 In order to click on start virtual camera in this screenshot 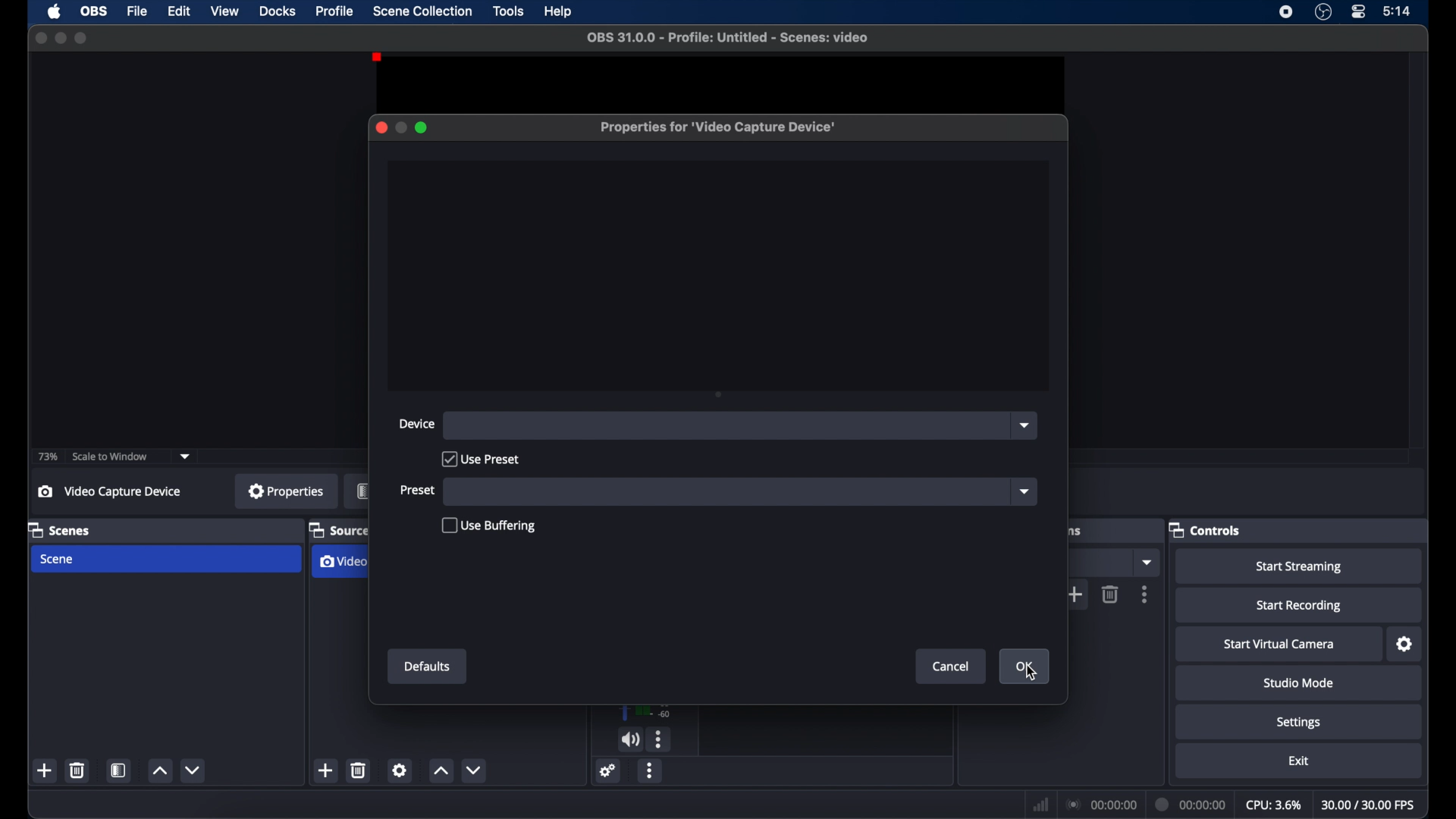, I will do `click(1280, 644)`.